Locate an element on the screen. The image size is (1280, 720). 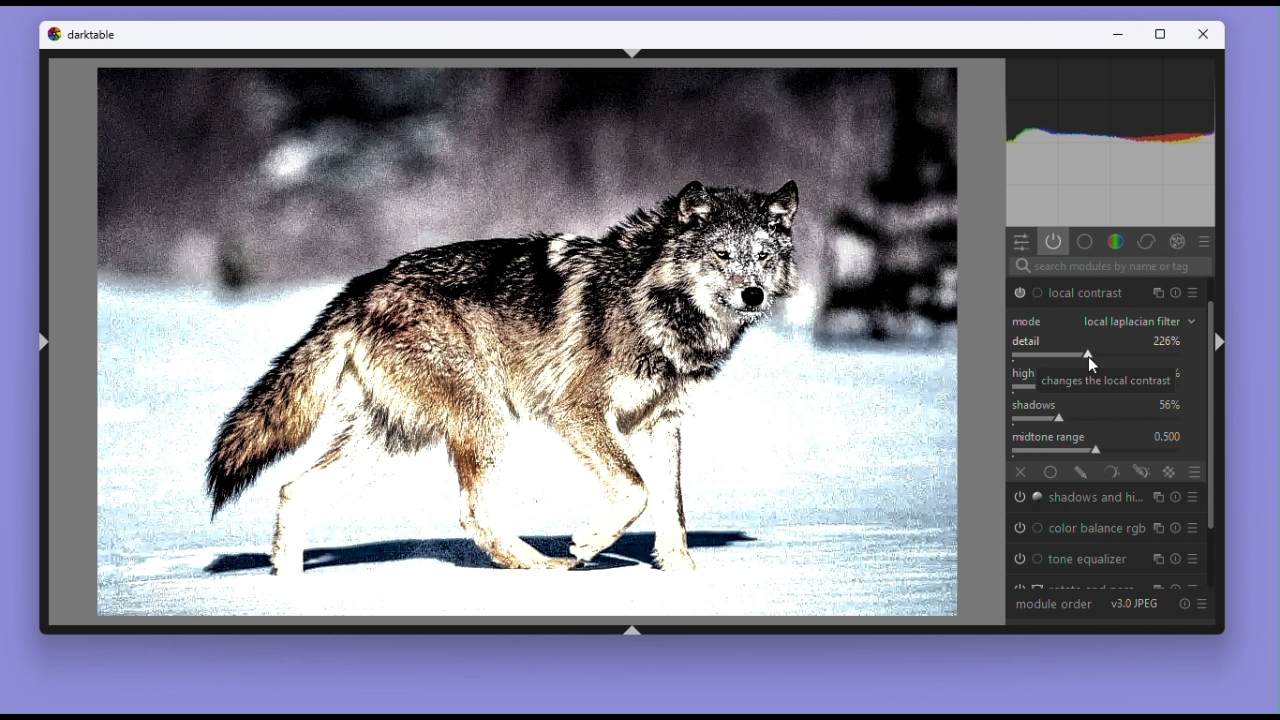
adjust midtone range is located at coordinates (1056, 452).